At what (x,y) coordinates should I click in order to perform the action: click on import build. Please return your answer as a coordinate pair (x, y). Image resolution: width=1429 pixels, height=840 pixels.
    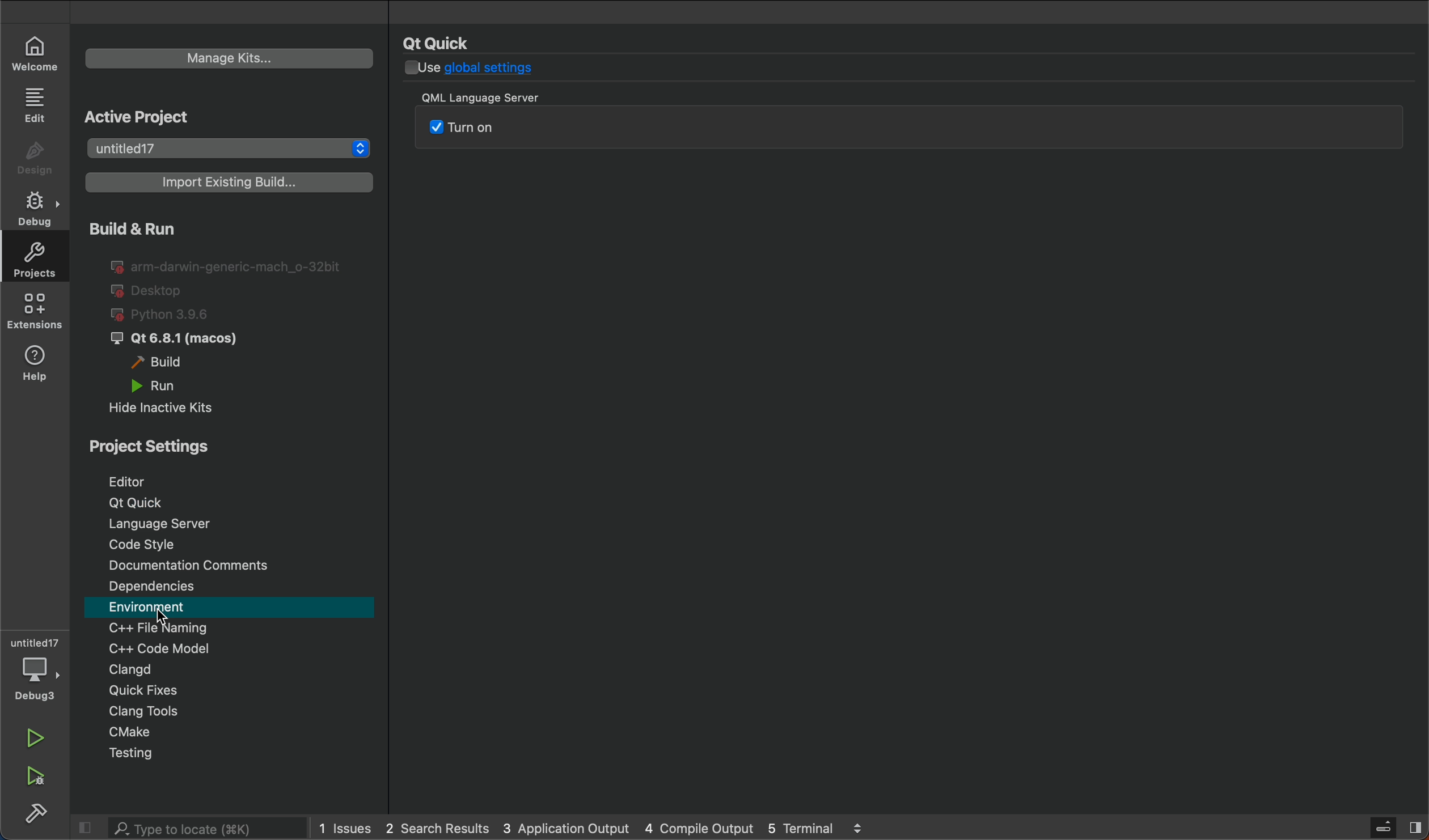
    Looking at the image, I should click on (226, 187).